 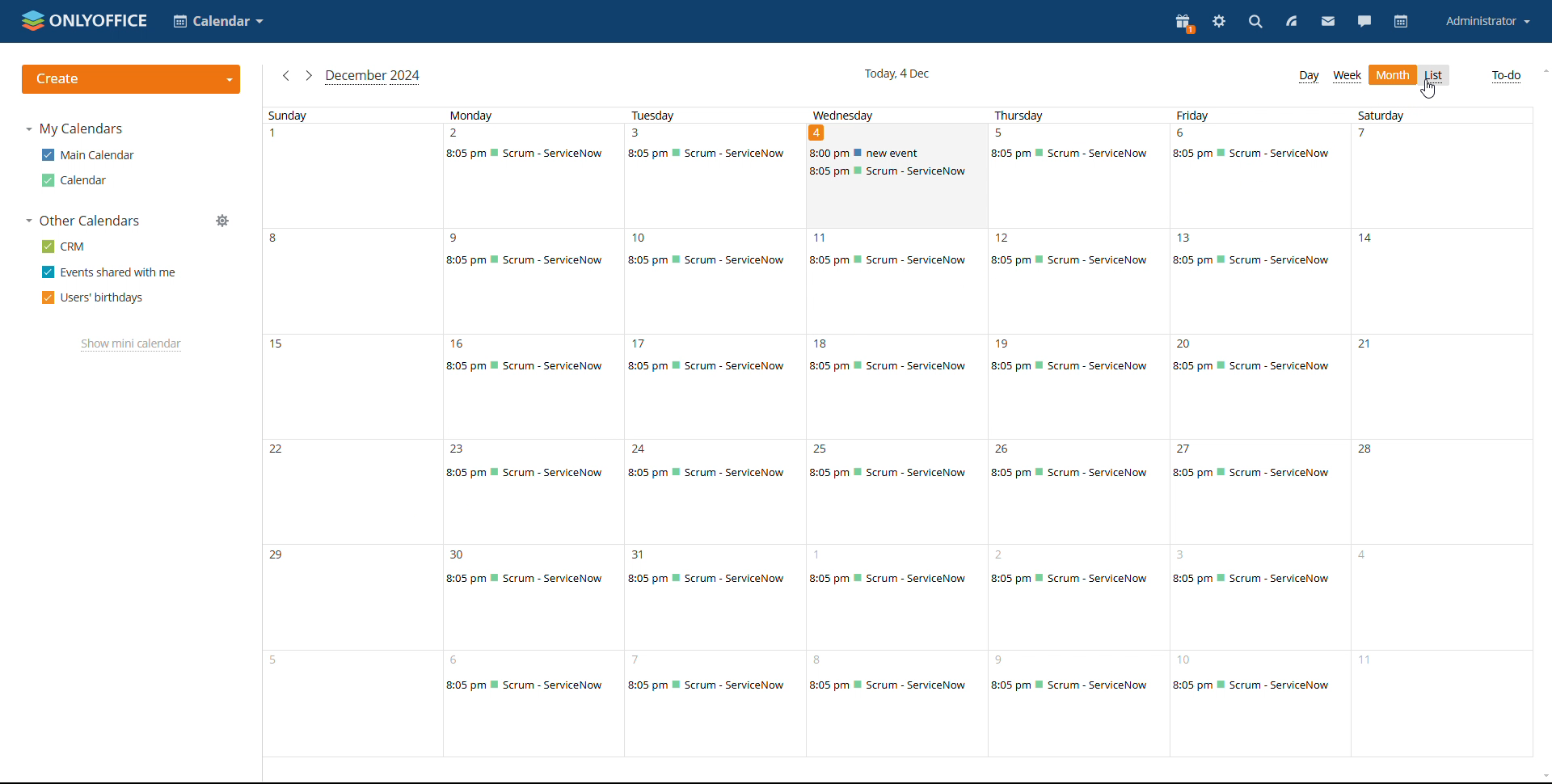 I want to click on friday, so click(x=1234, y=116).